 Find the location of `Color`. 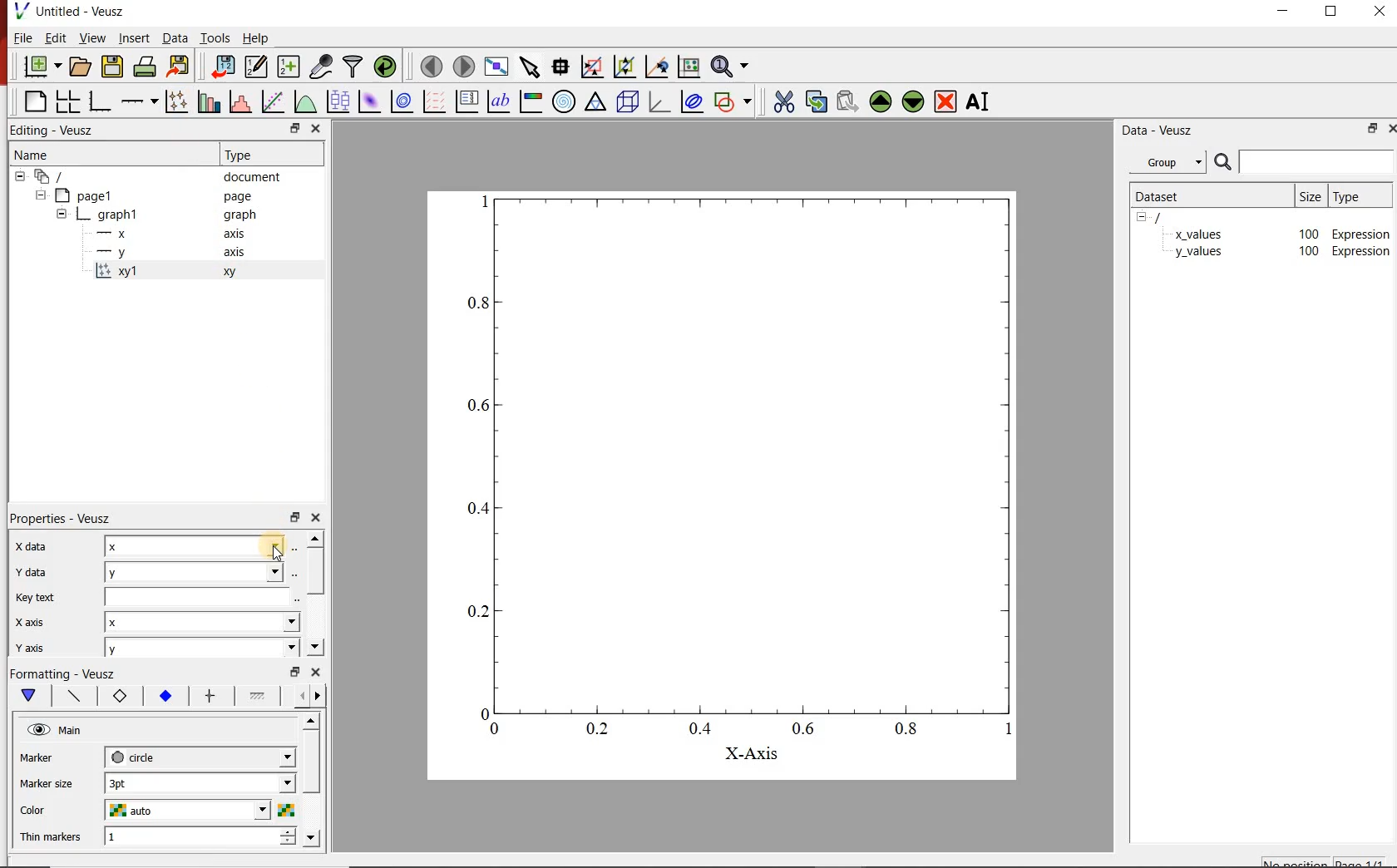

Color is located at coordinates (37, 811).